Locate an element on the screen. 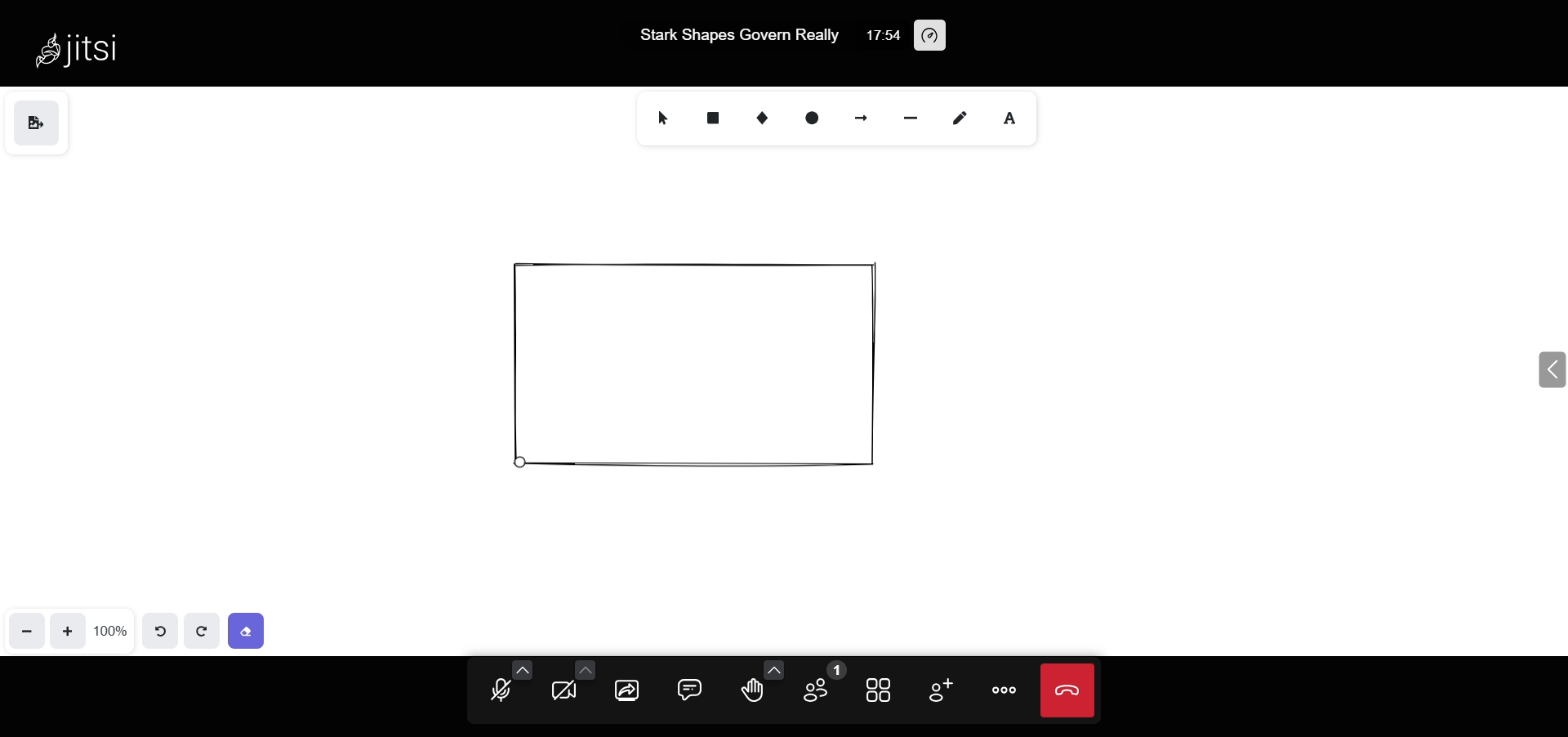 This screenshot has height=737, width=1568. Jitsi is located at coordinates (83, 49).